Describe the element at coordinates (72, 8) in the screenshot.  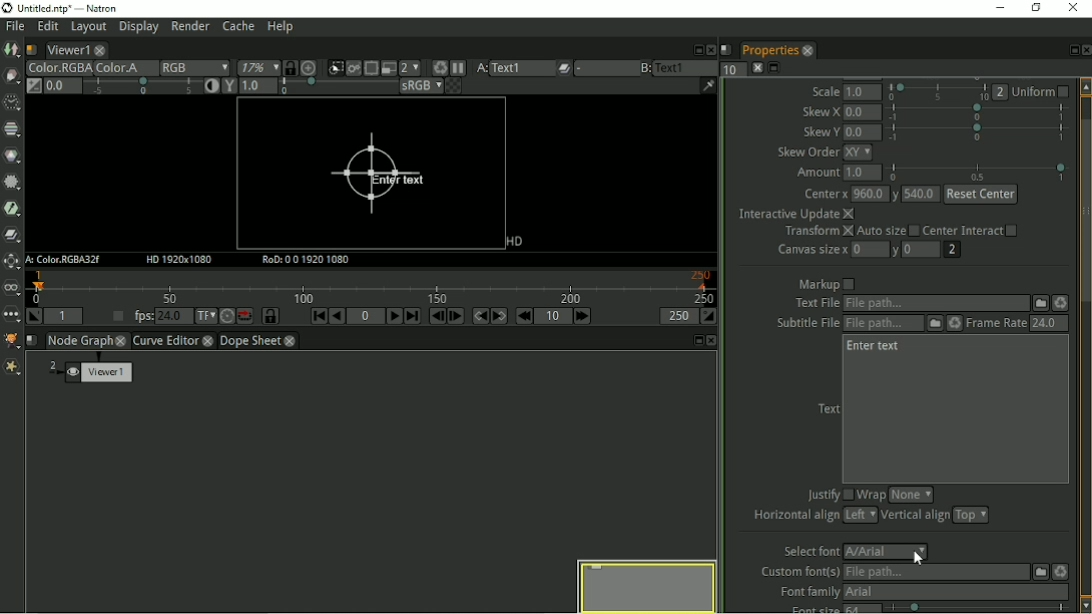
I see `title` at that location.